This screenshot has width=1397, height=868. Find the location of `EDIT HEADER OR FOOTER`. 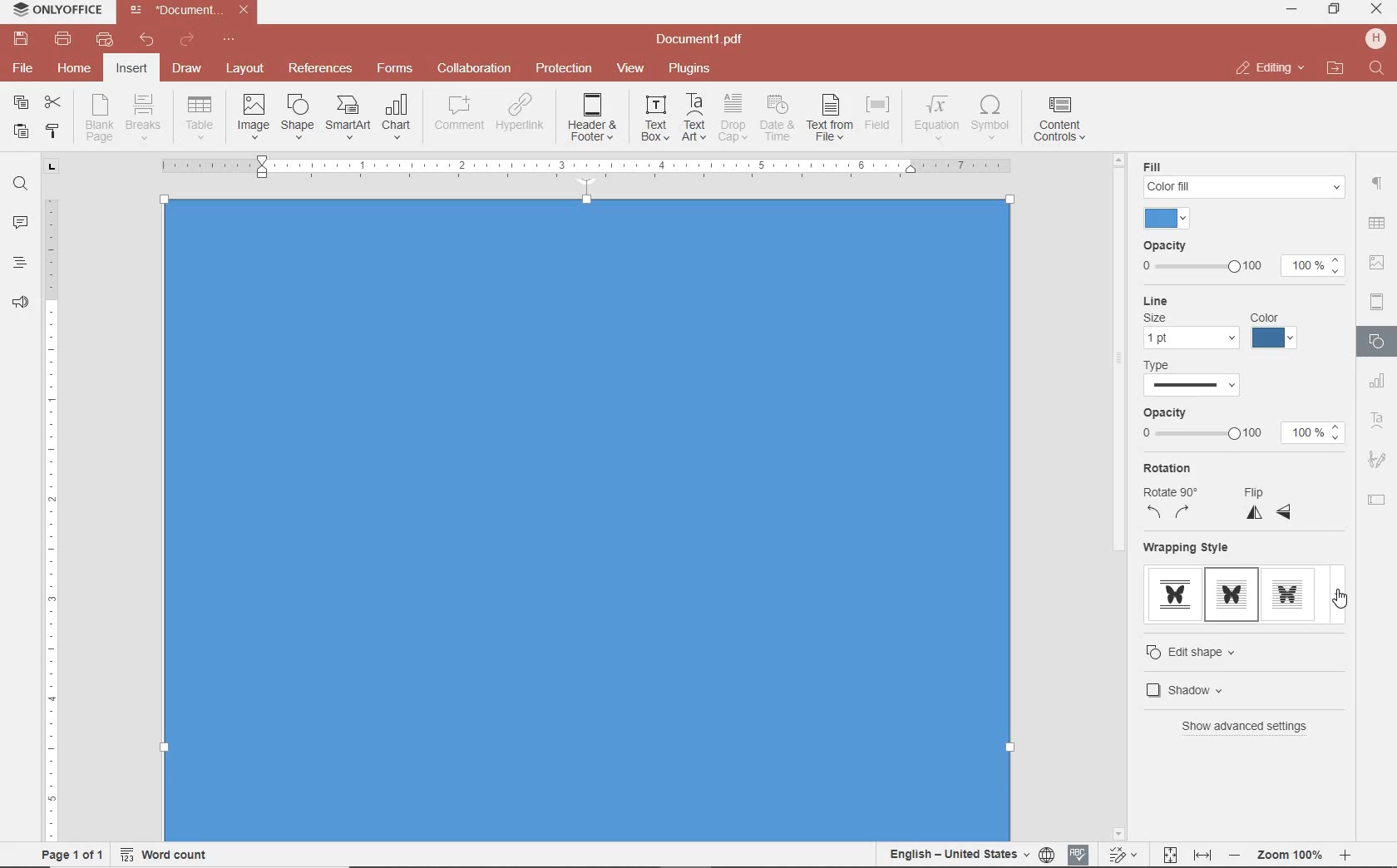

EDIT HEADER OR FOOTER is located at coordinates (594, 118).